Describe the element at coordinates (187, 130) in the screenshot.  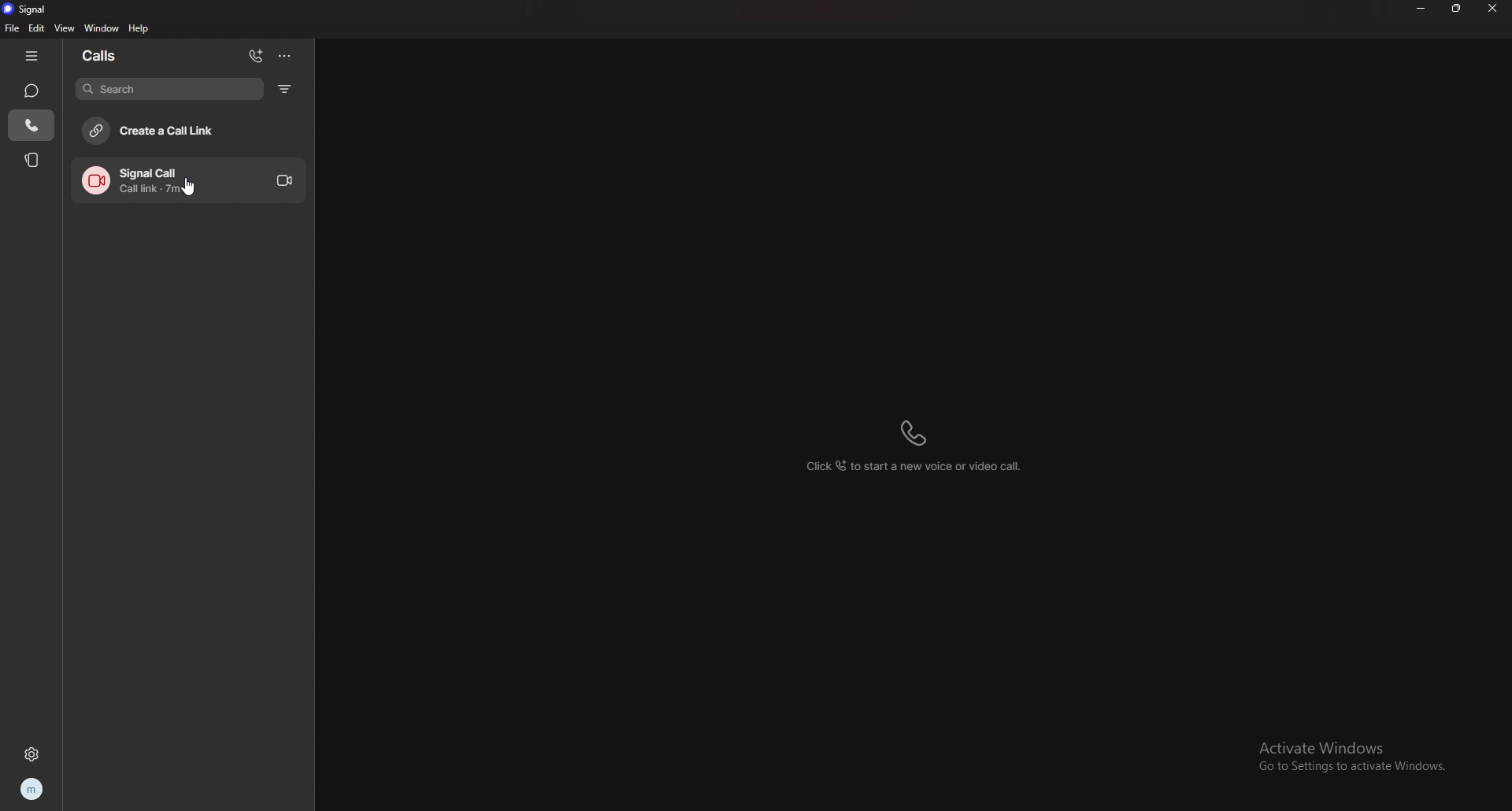
I see `create a call link` at that location.